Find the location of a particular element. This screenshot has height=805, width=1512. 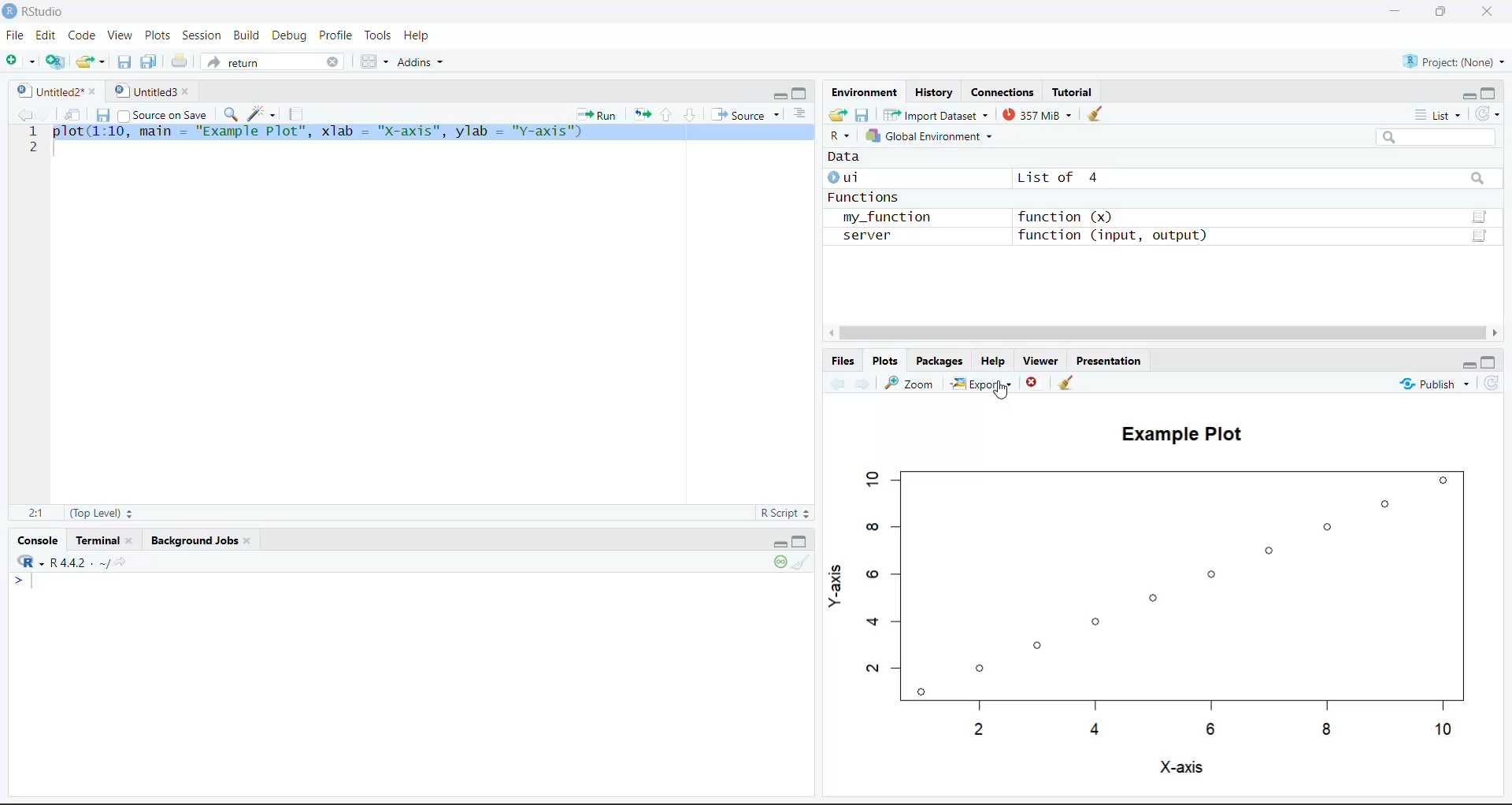

Find/Replace is located at coordinates (229, 113).